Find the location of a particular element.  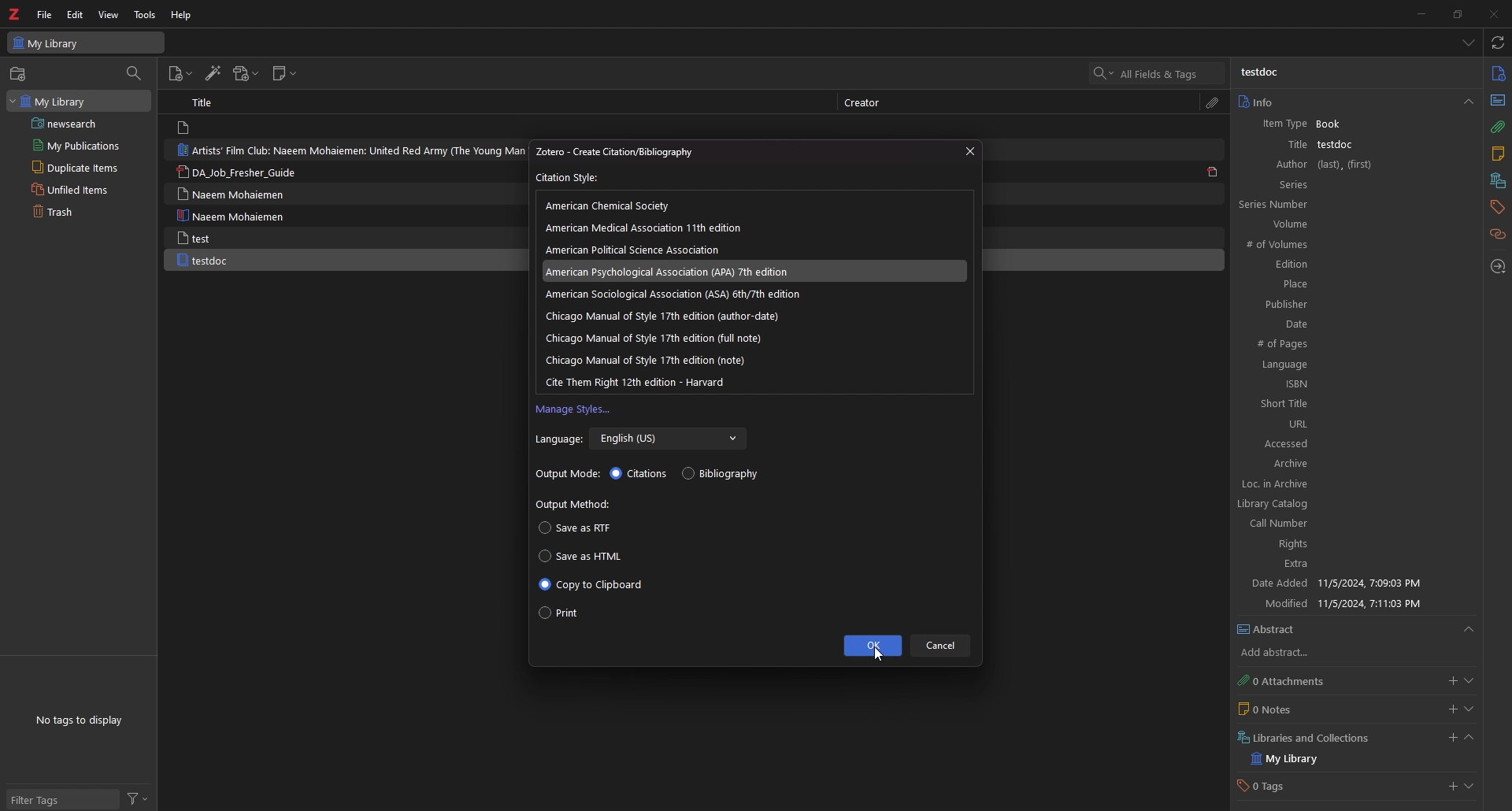

copy to clipboard is located at coordinates (591, 585).